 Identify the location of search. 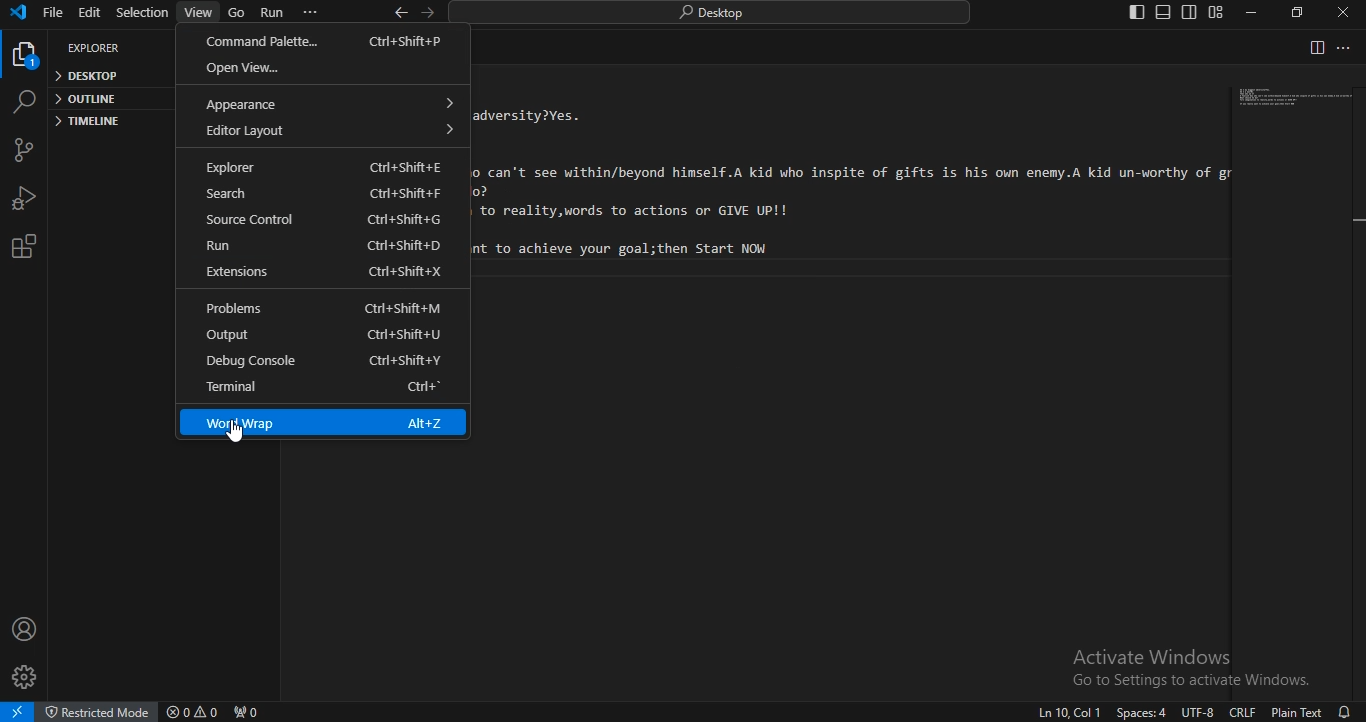
(23, 102).